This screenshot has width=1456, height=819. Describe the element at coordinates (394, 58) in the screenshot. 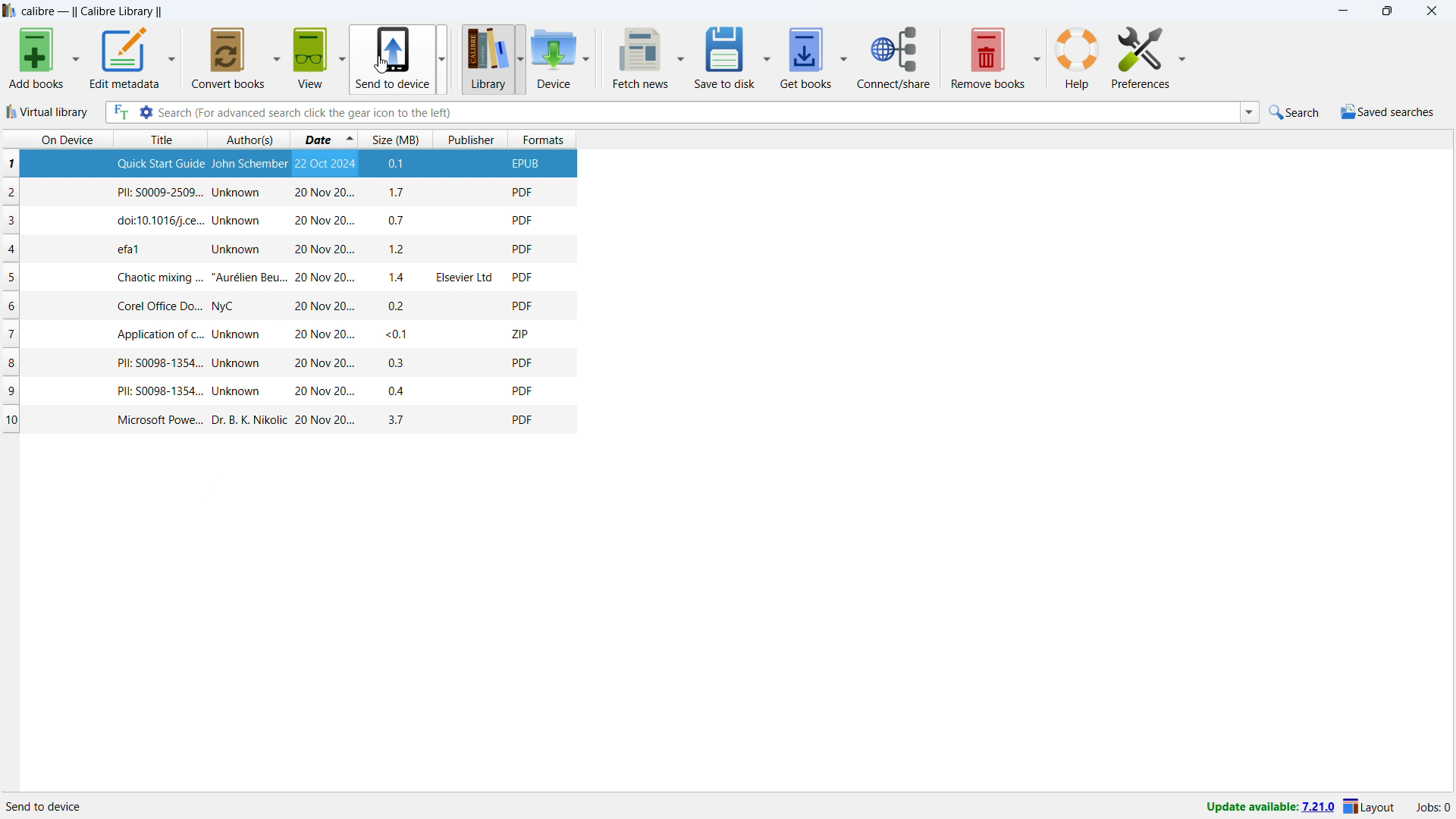

I see `send to device` at that location.